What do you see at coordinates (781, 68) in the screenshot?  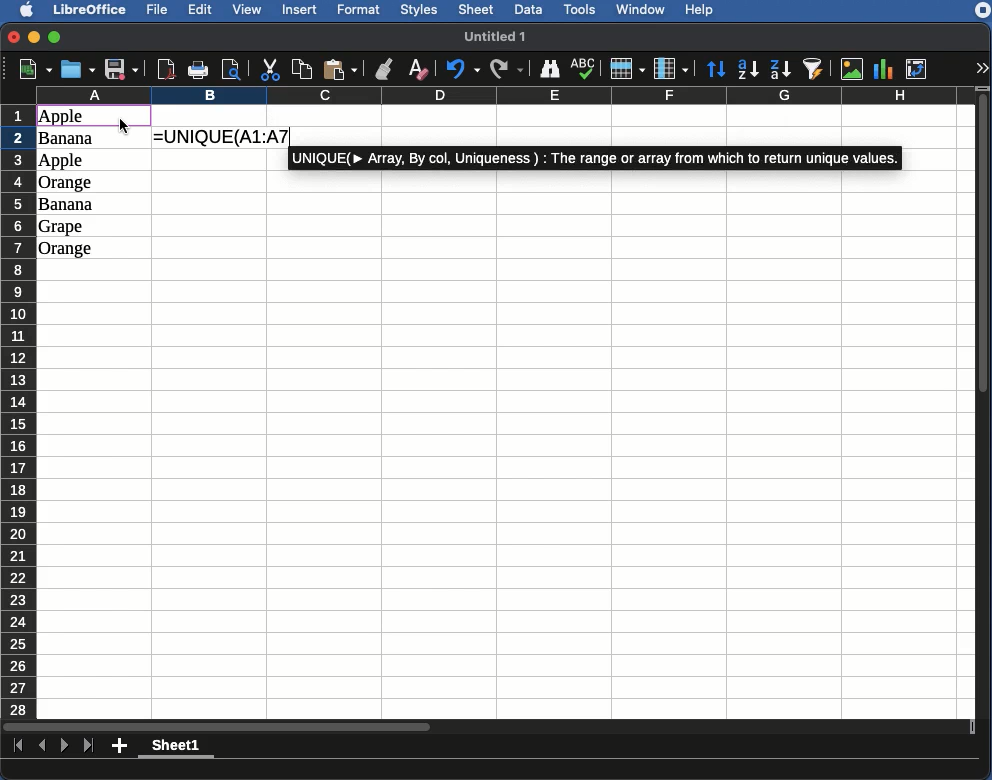 I see `Descending` at bounding box center [781, 68].